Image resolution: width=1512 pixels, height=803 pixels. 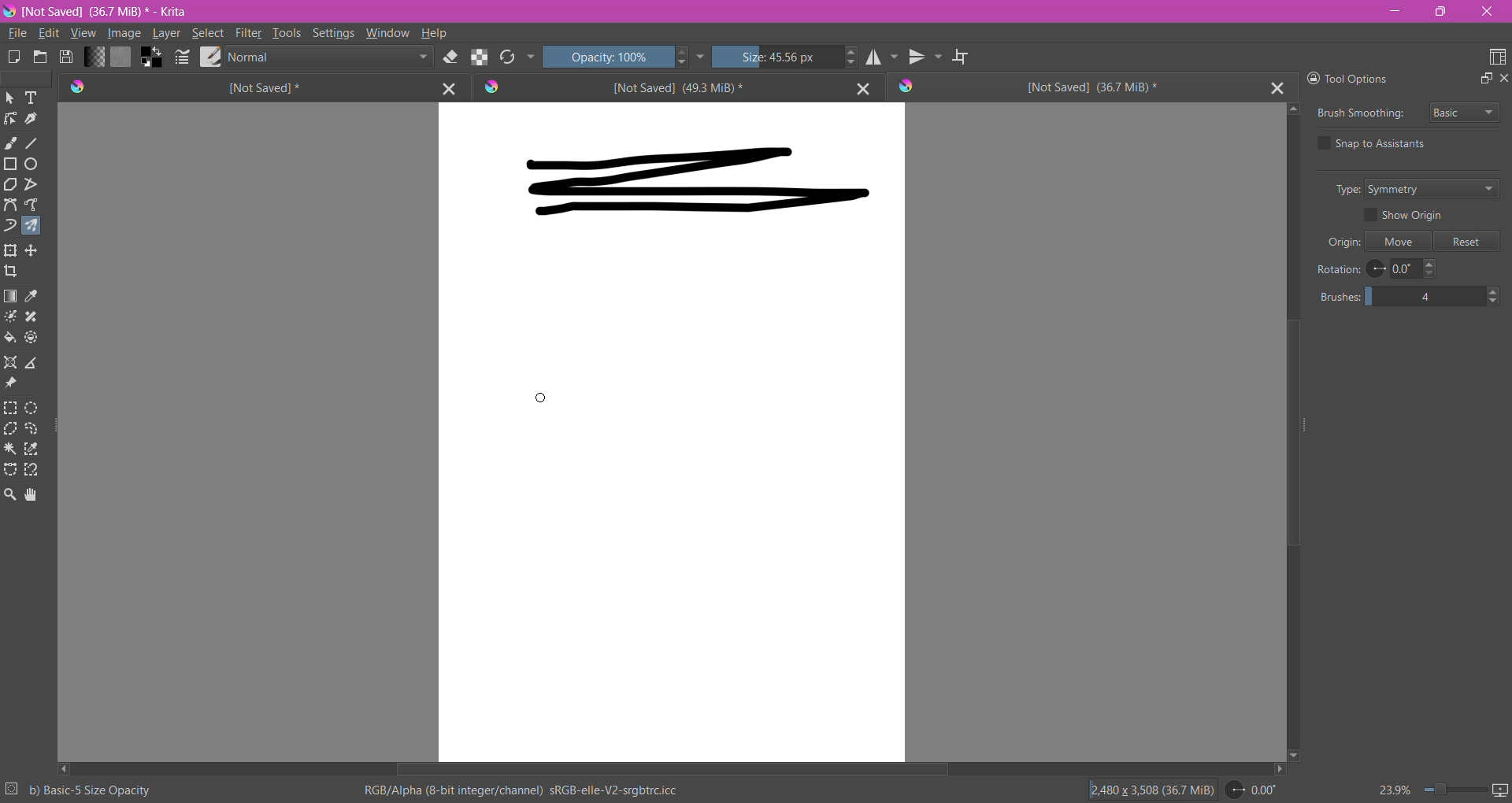 I want to click on Sample a color from the image or current layer, so click(x=35, y=296).